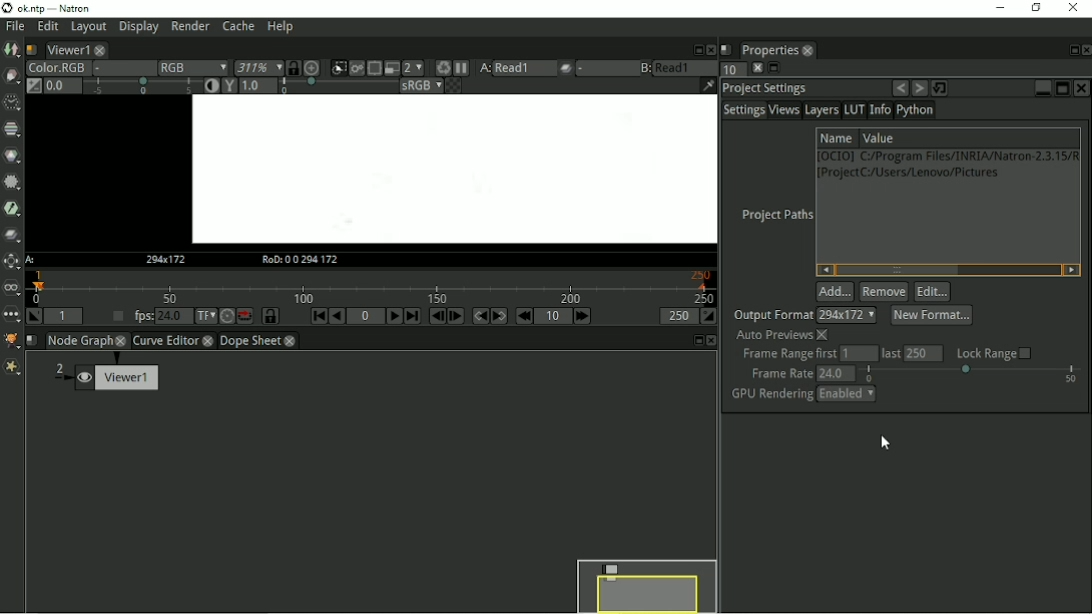  Describe the element at coordinates (775, 216) in the screenshot. I see `Project Paths` at that location.